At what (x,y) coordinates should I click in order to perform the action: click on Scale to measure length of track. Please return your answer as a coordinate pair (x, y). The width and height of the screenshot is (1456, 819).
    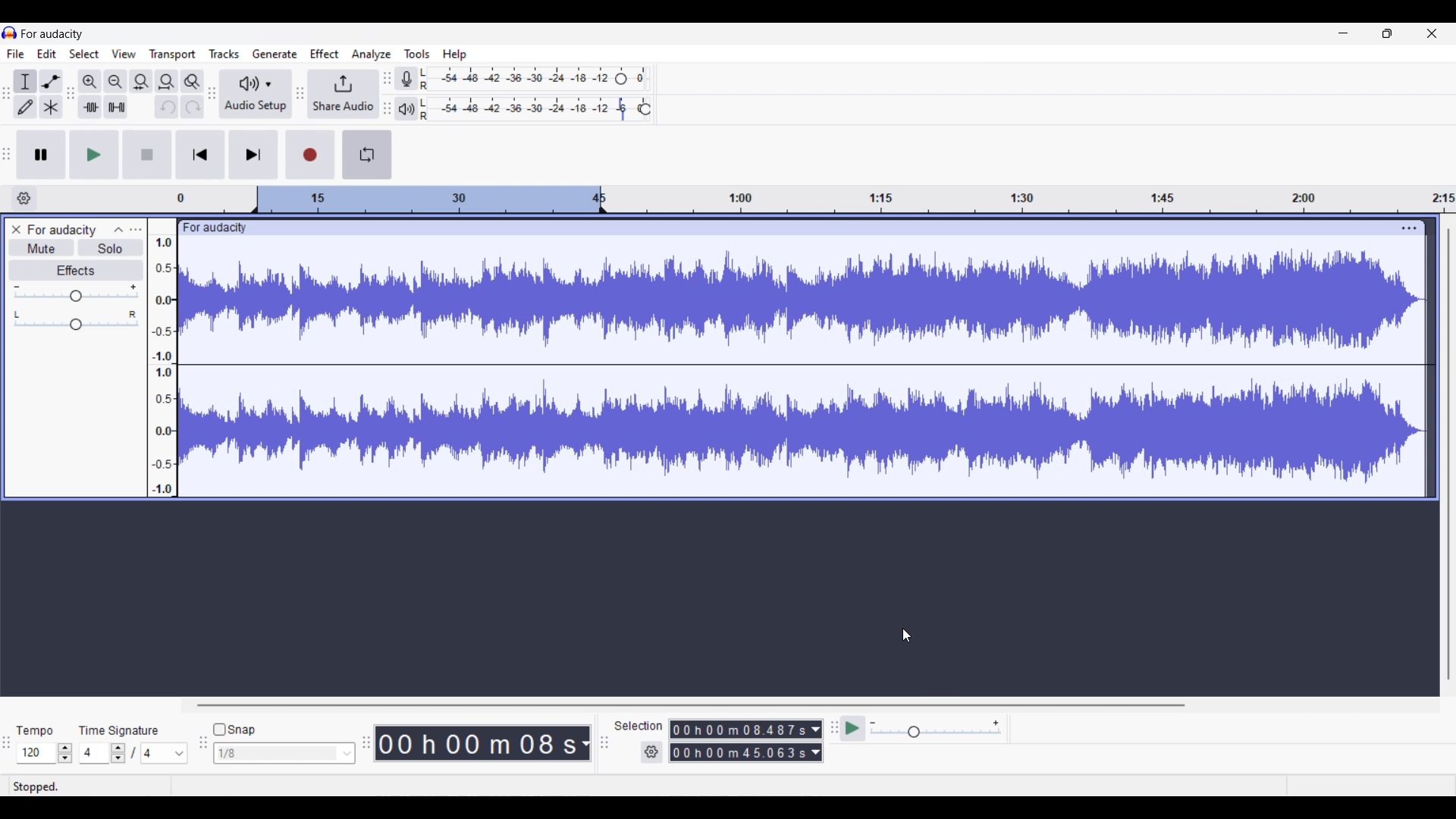
    Looking at the image, I should click on (815, 199).